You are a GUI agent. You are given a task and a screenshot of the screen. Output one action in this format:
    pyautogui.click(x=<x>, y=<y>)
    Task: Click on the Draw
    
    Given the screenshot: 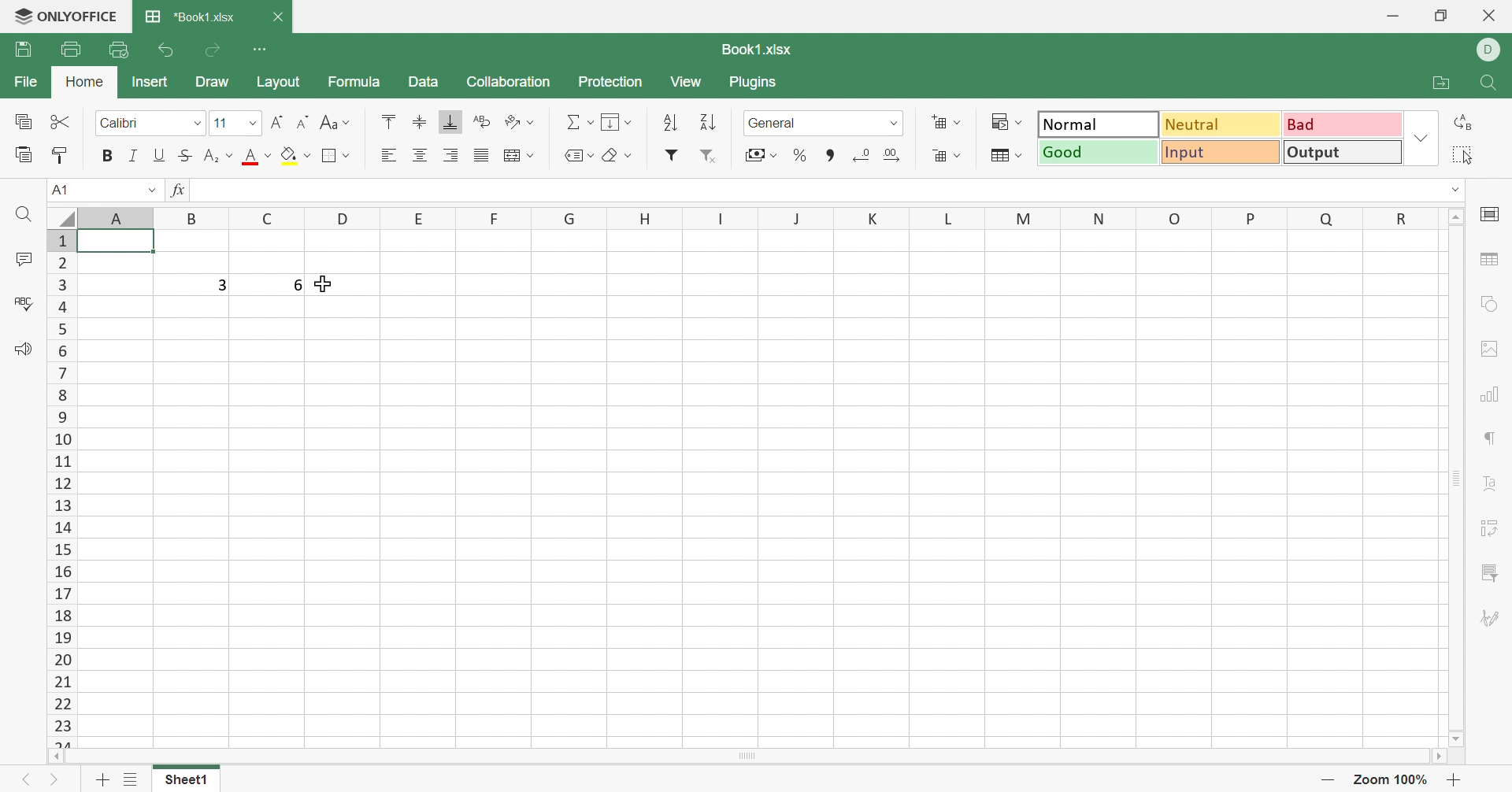 What is the action you would take?
    pyautogui.click(x=212, y=80)
    